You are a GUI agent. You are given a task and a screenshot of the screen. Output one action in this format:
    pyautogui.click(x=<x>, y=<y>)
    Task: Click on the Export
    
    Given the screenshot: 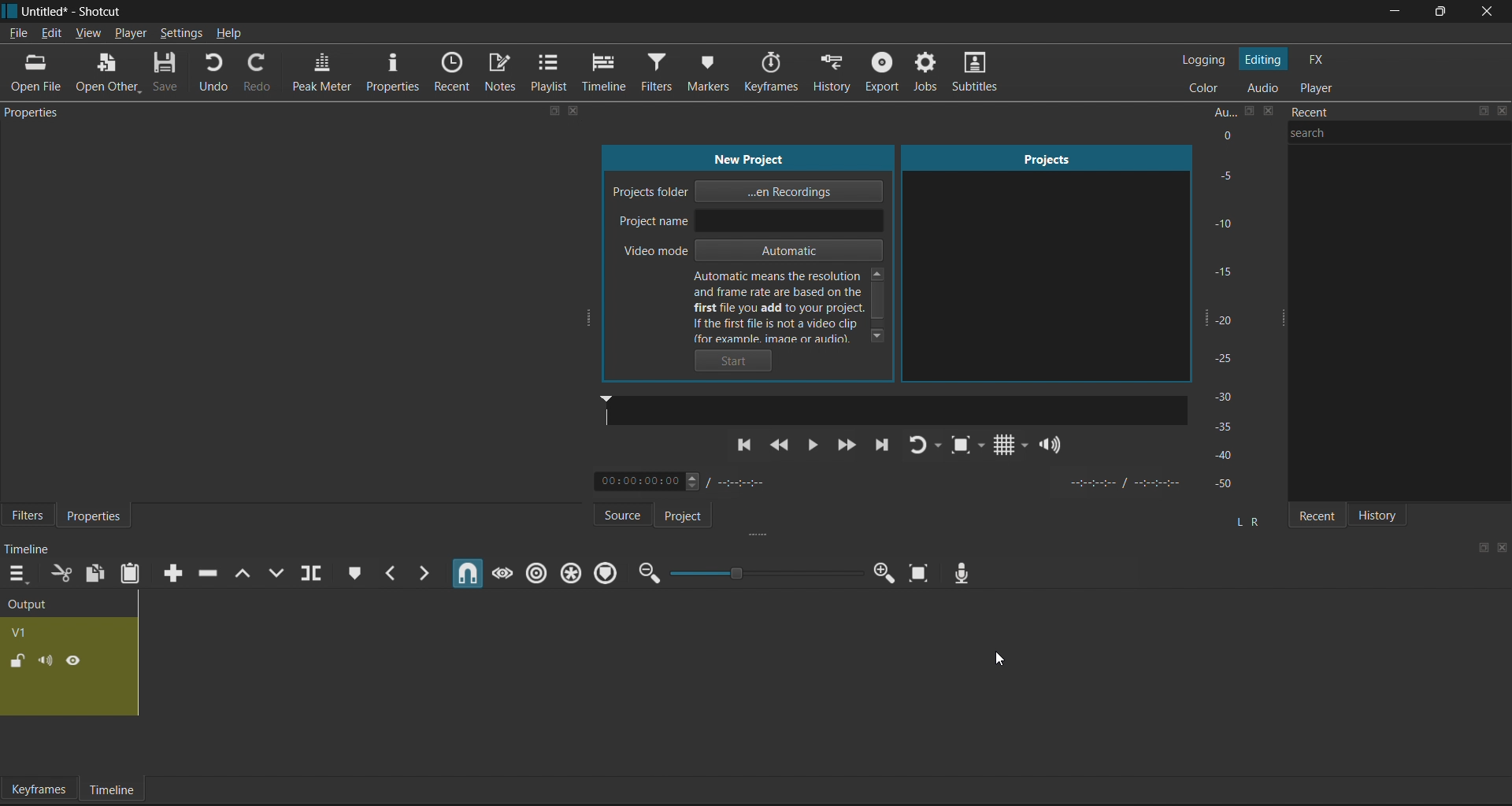 What is the action you would take?
    pyautogui.click(x=884, y=75)
    